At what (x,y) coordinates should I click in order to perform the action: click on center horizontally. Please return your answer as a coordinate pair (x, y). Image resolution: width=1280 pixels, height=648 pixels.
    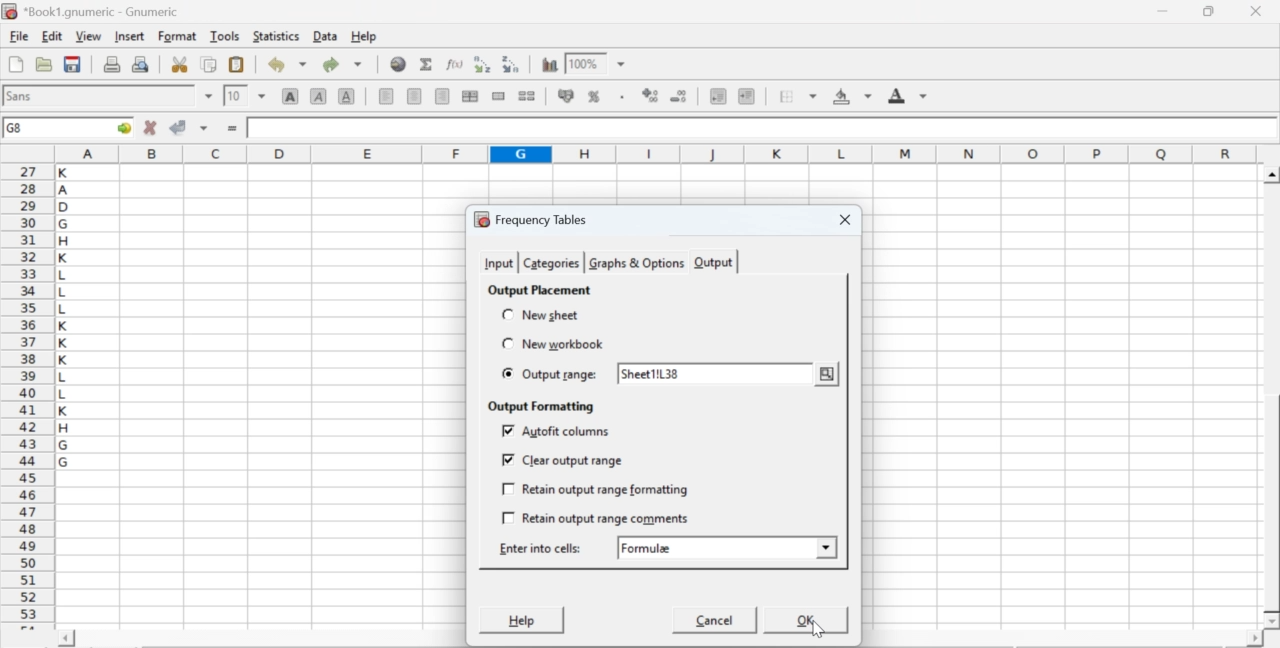
    Looking at the image, I should click on (470, 96).